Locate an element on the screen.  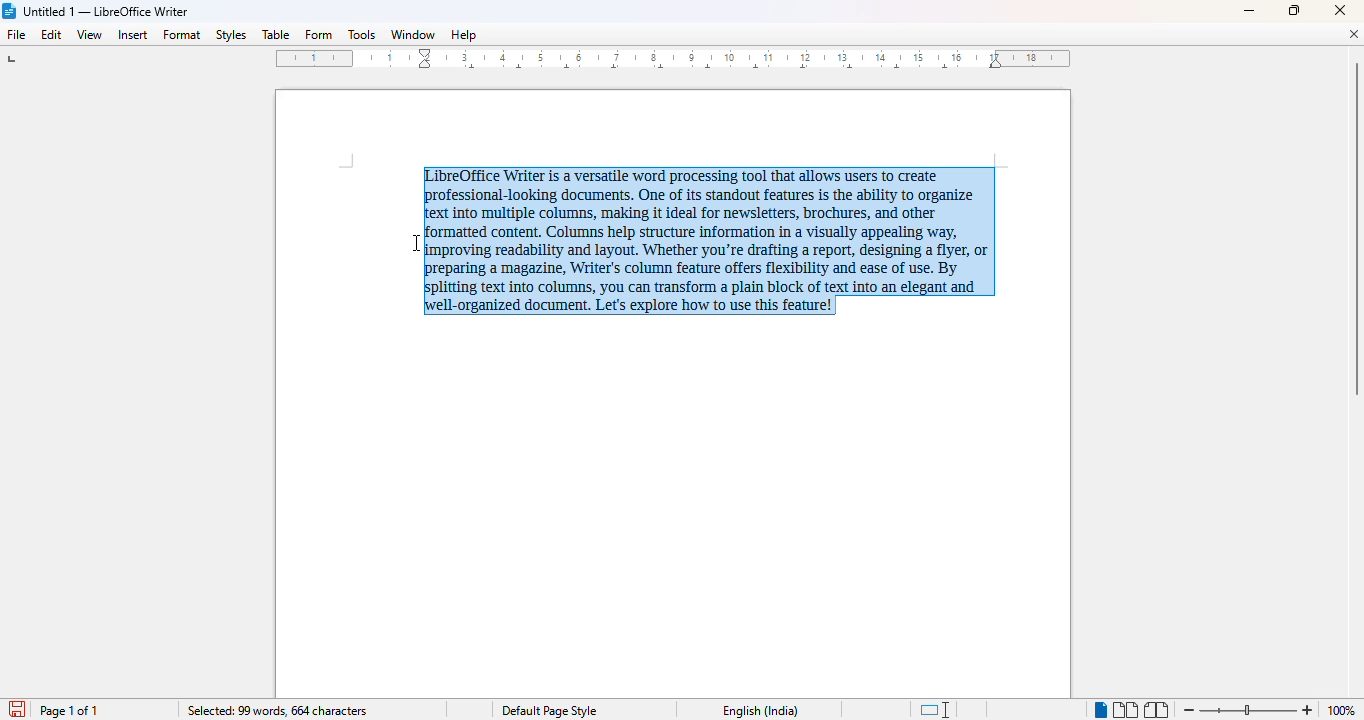
multi-page view is located at coordinates (1126, 710).